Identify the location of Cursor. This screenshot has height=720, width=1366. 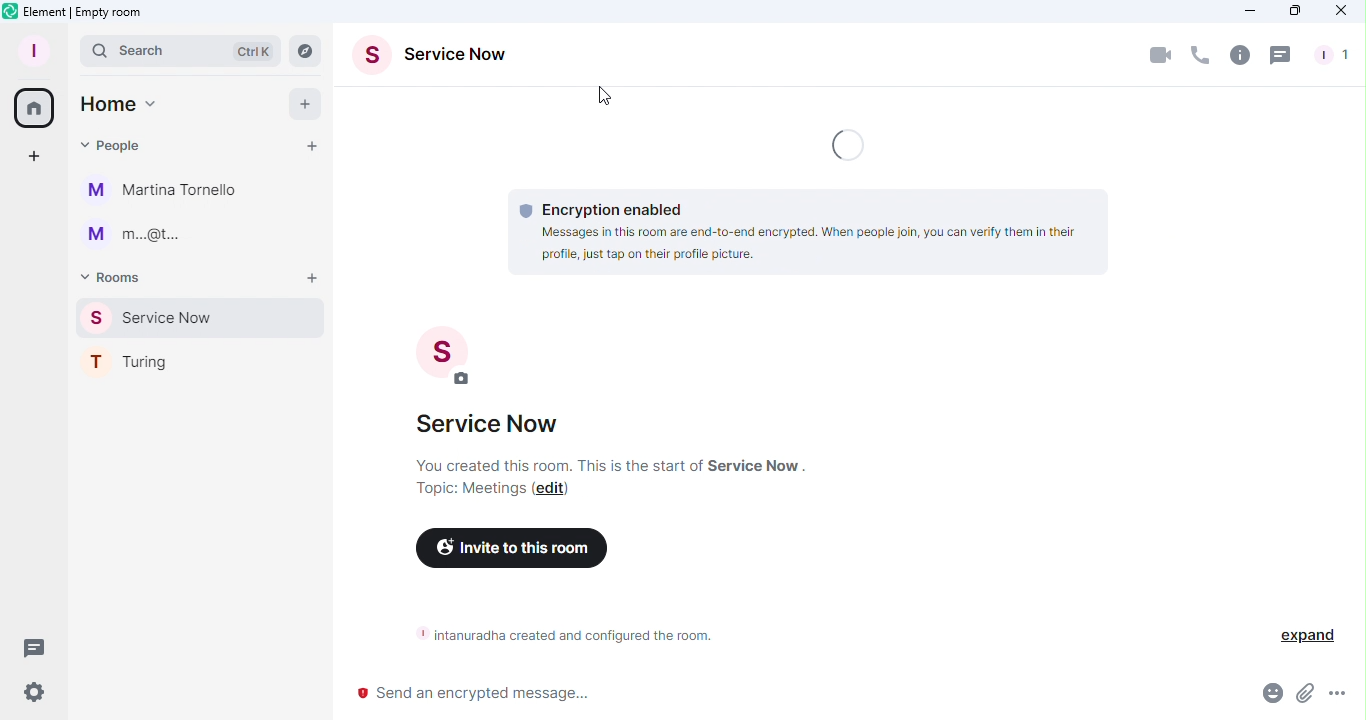
(606, 100).